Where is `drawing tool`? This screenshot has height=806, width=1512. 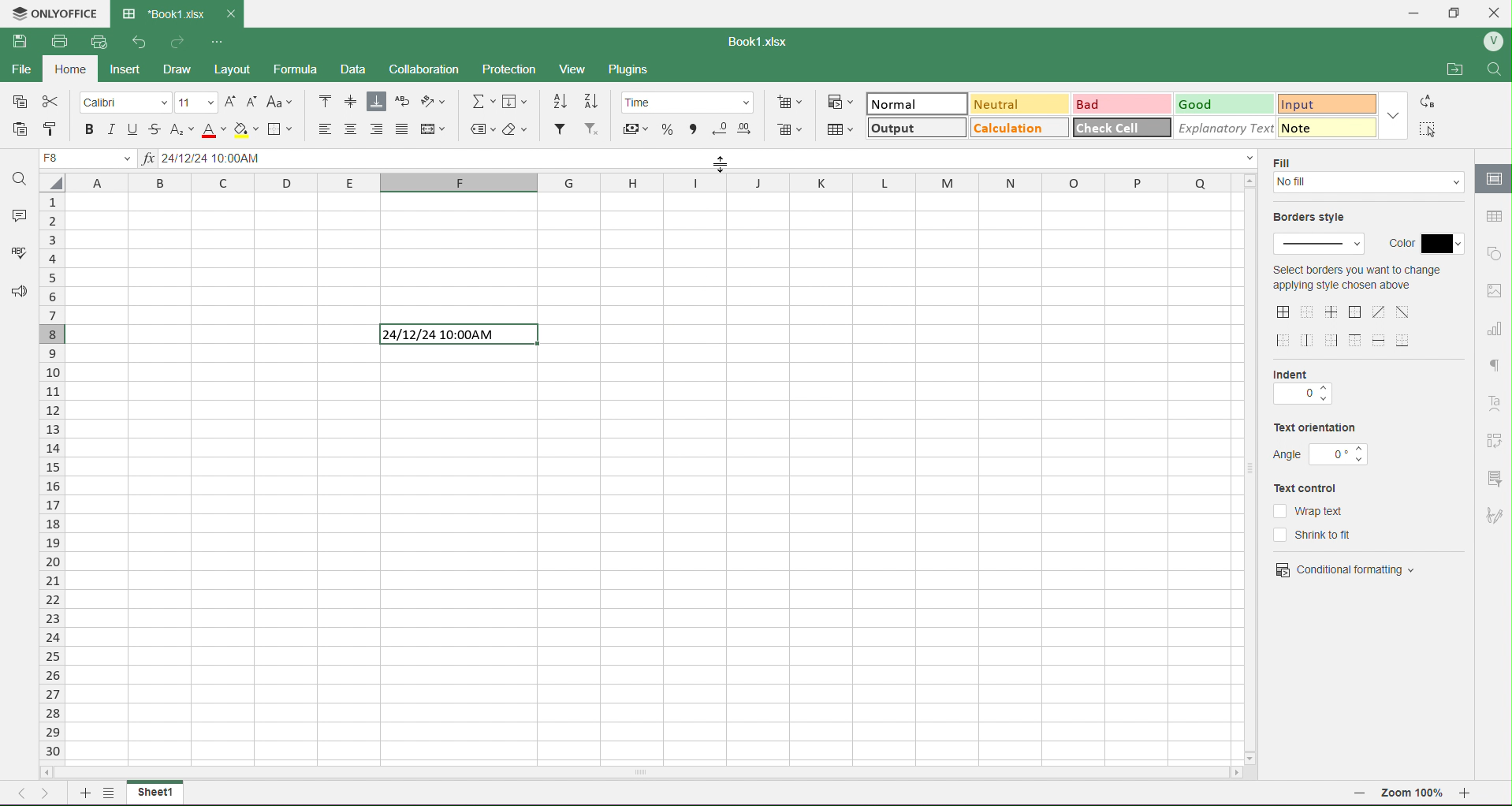 drawing tool is located at coordinates (1493, 515).